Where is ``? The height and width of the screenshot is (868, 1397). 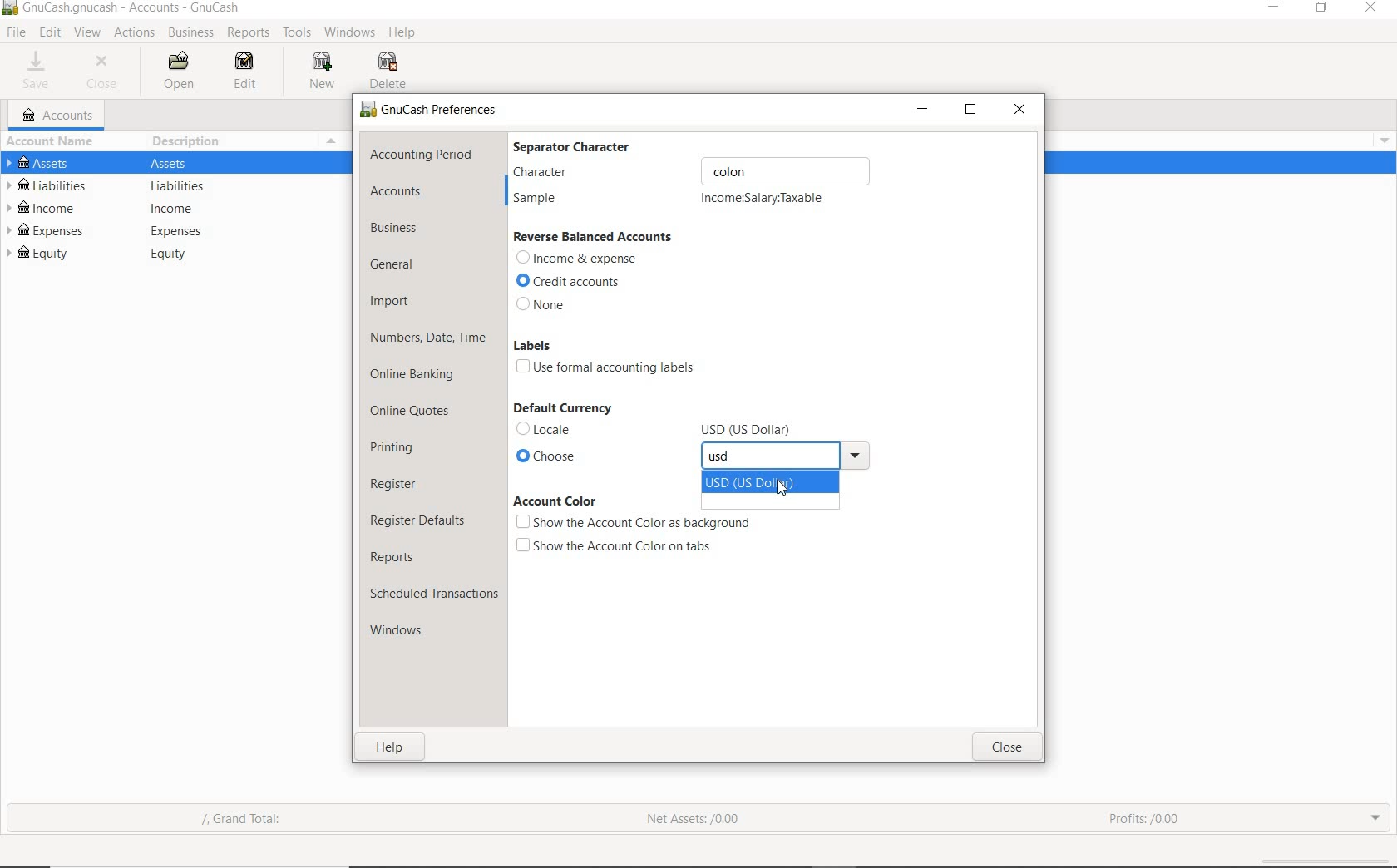
 is located at coordinates (749, 430).